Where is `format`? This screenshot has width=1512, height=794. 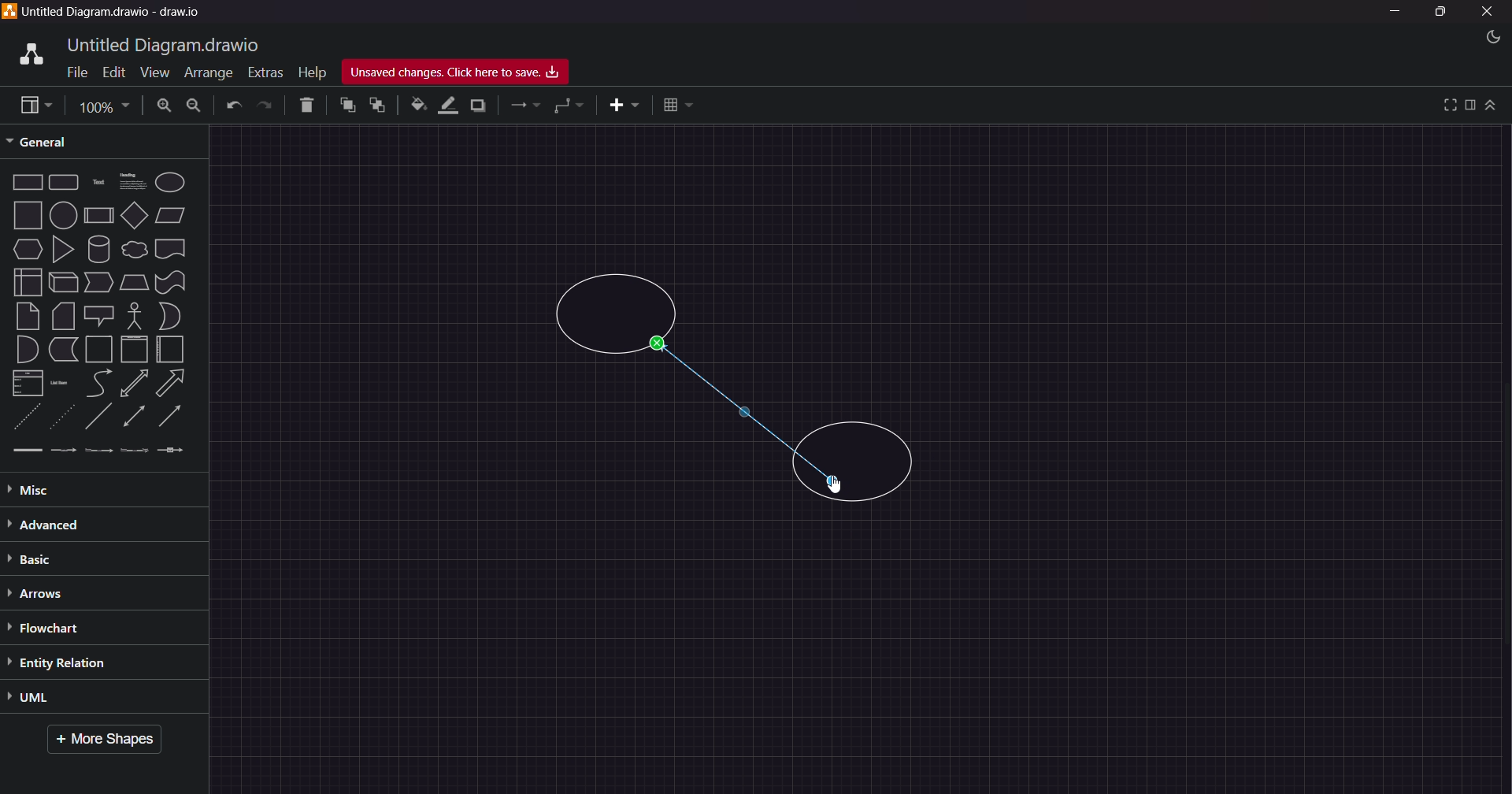 format is located at coordinates (1470, 105).